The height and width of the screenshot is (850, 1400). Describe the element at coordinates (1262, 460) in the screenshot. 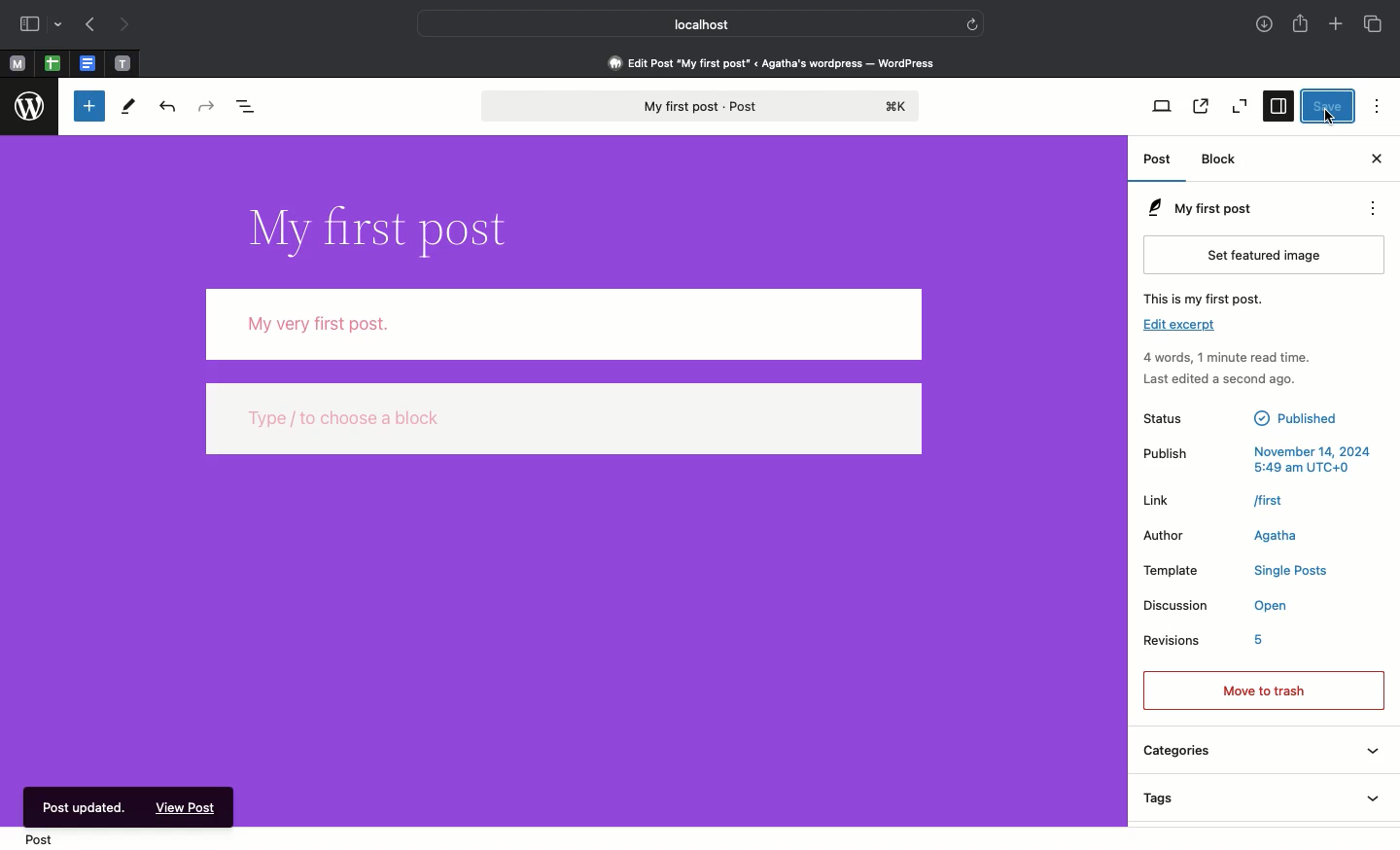

I see `Publish` at that location.